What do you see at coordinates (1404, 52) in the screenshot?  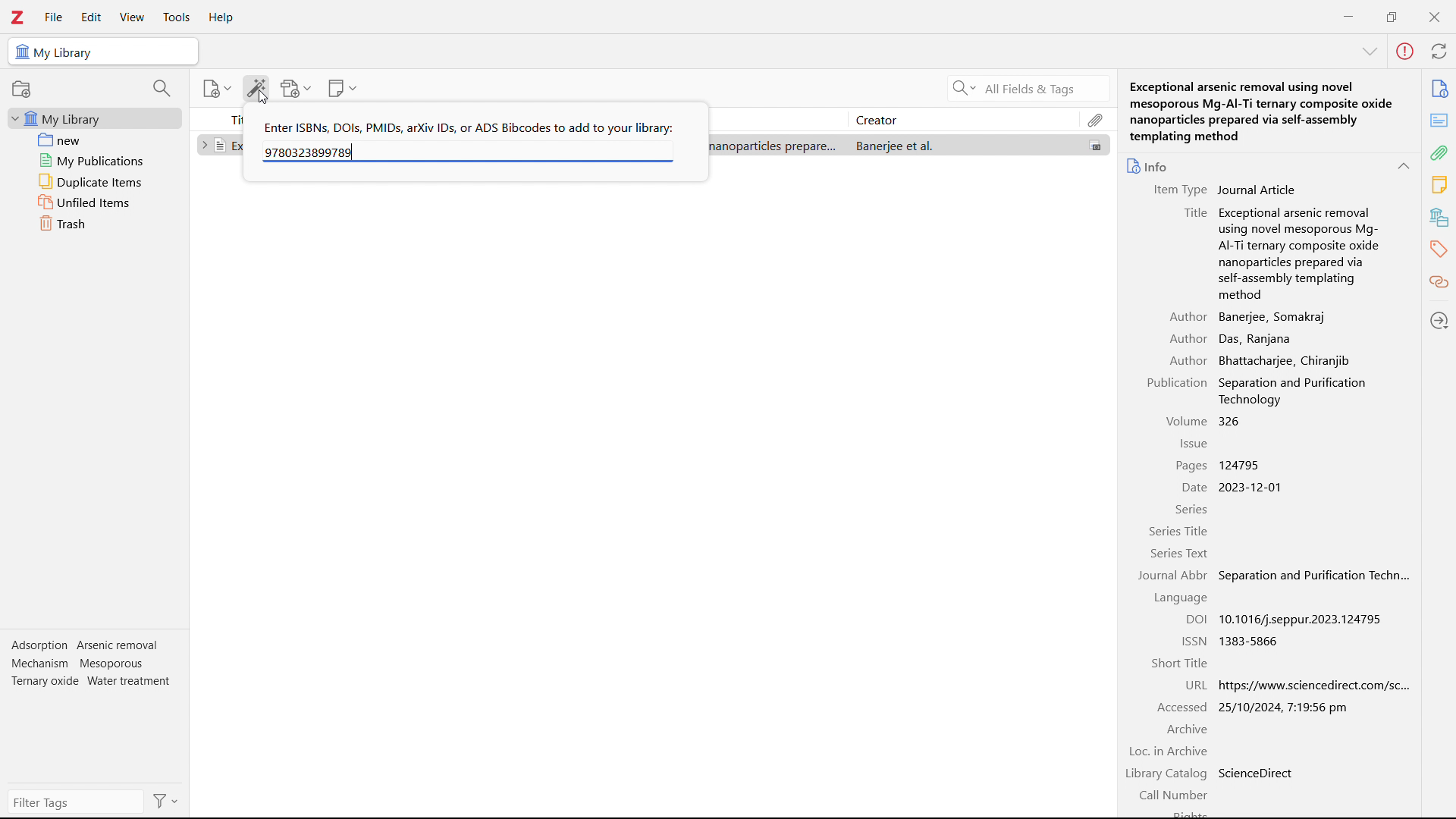 I see `error in sync` at bounding box center [1404, 52].